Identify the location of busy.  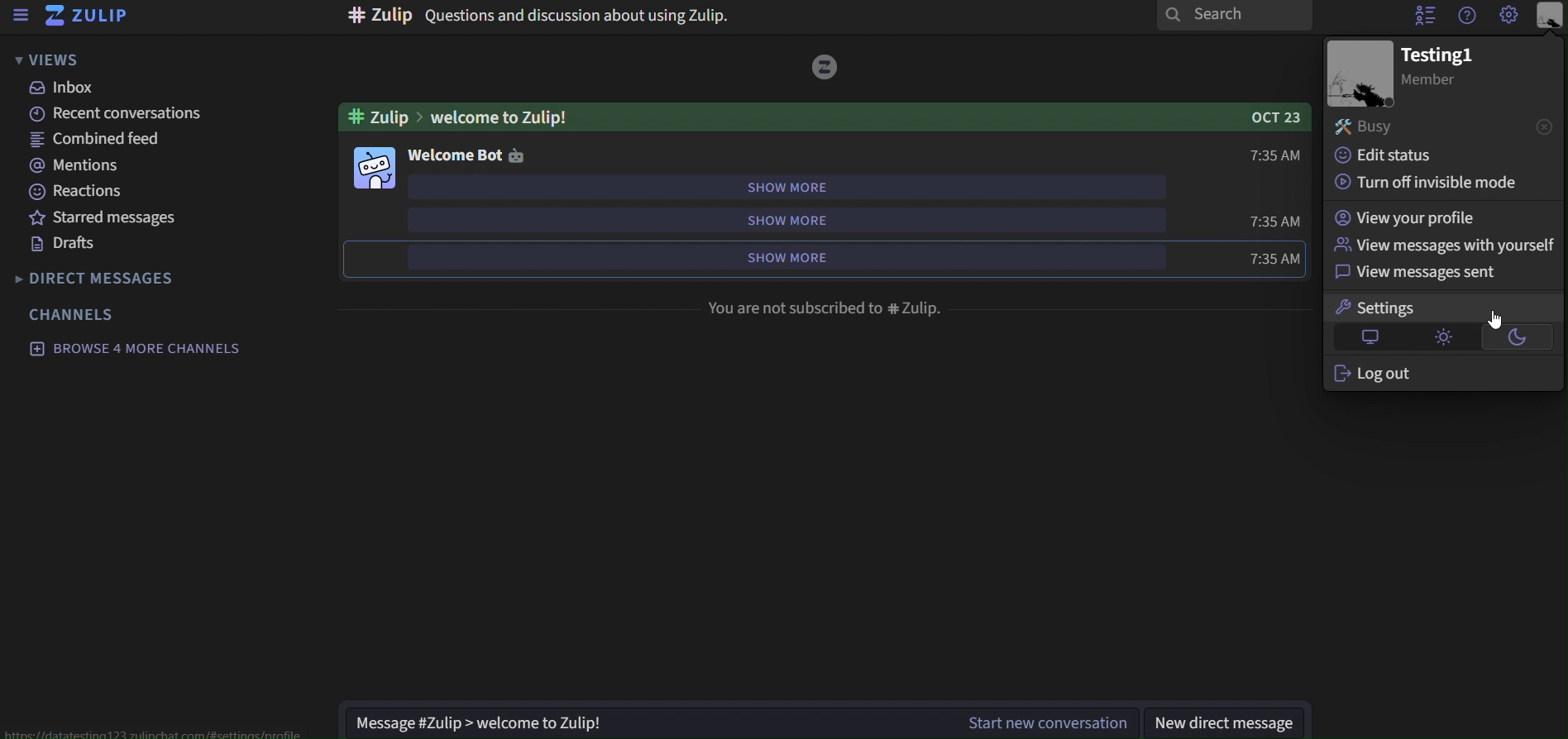
(1418, 127).